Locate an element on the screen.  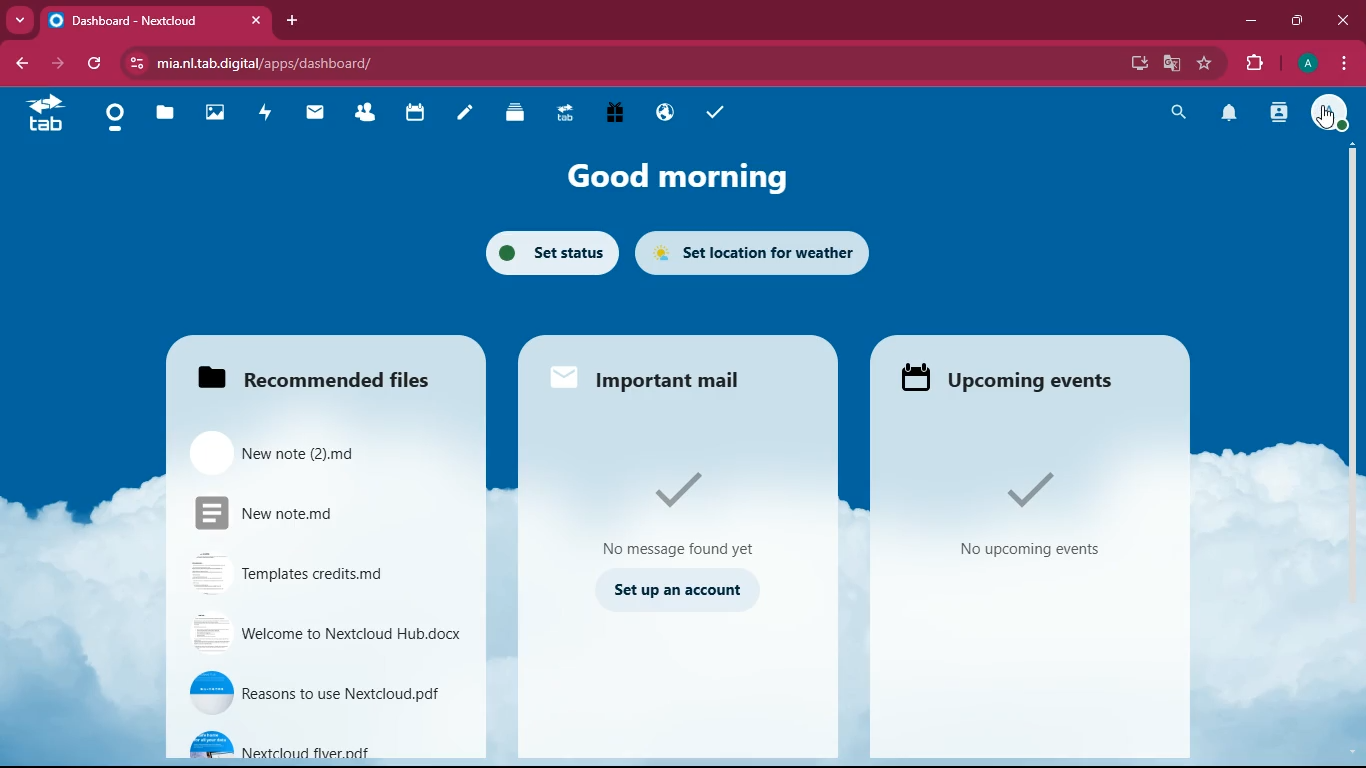
Important mail is located at coordinates (667, 377).